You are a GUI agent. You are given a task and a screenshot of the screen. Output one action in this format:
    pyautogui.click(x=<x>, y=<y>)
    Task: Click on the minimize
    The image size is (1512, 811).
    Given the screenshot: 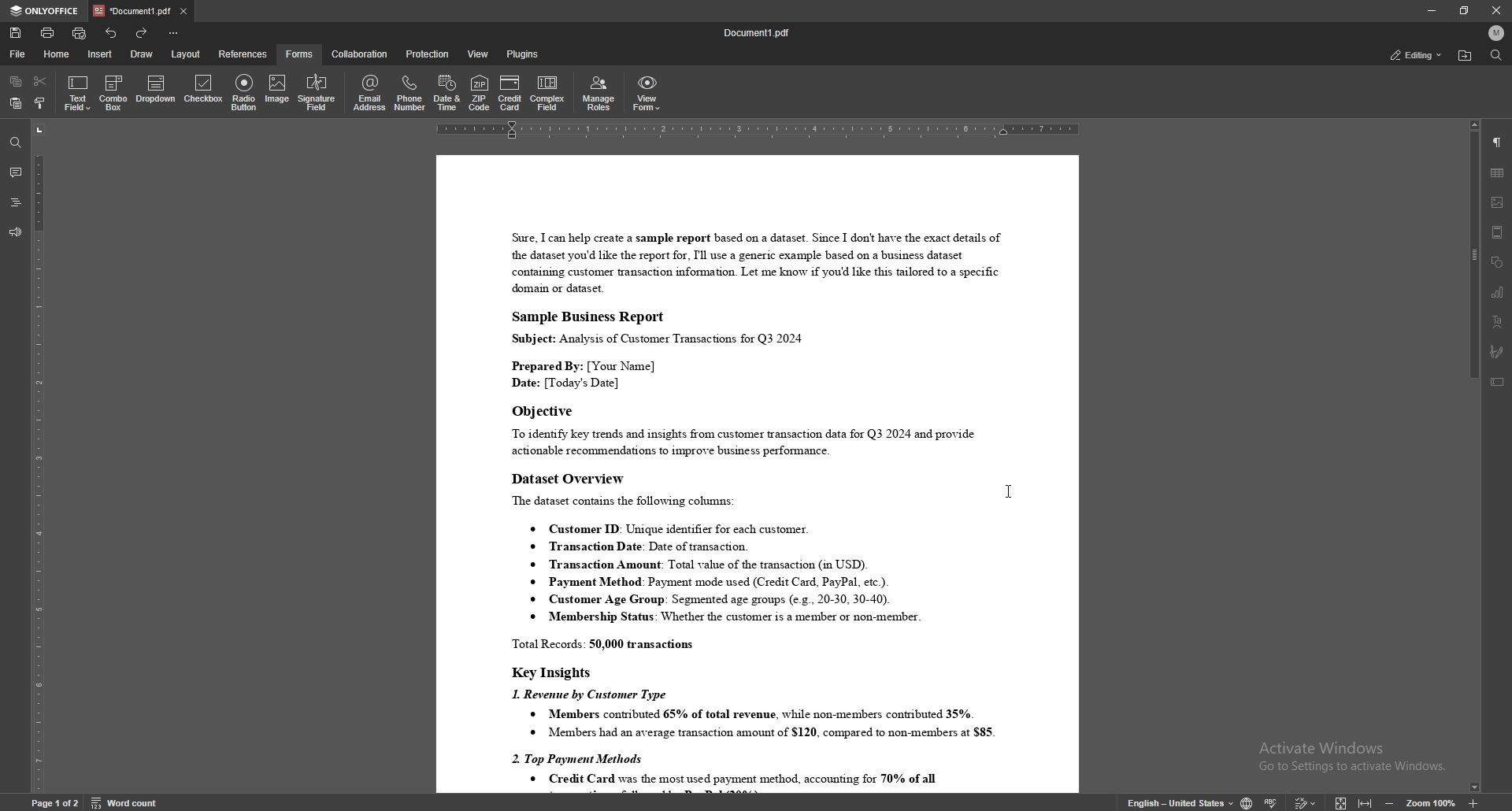 What is the action you would take?
    pyautogui.click(x=1431, y=10)
    